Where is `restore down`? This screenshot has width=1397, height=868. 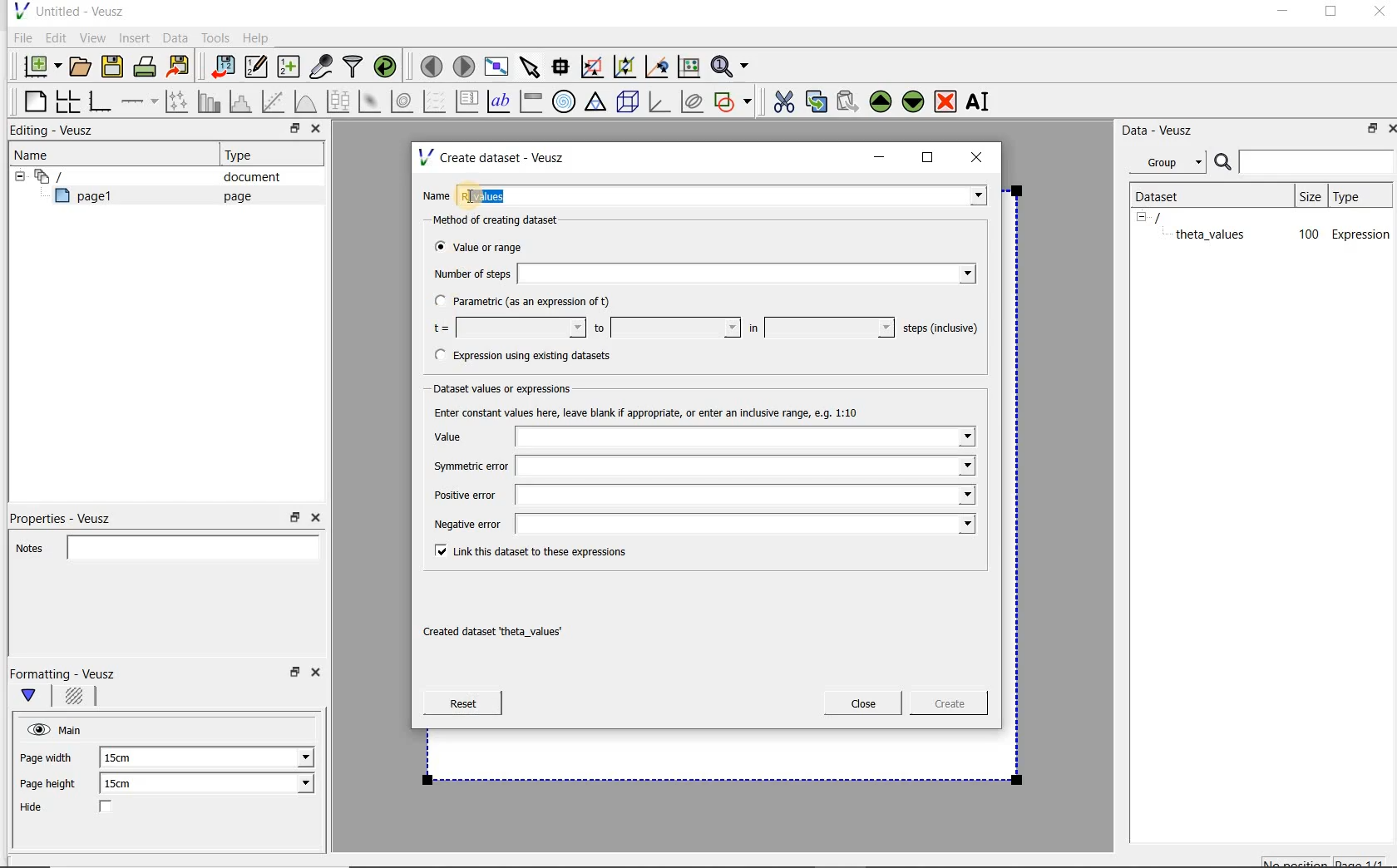
restore down is located at coordinates (293, 677).